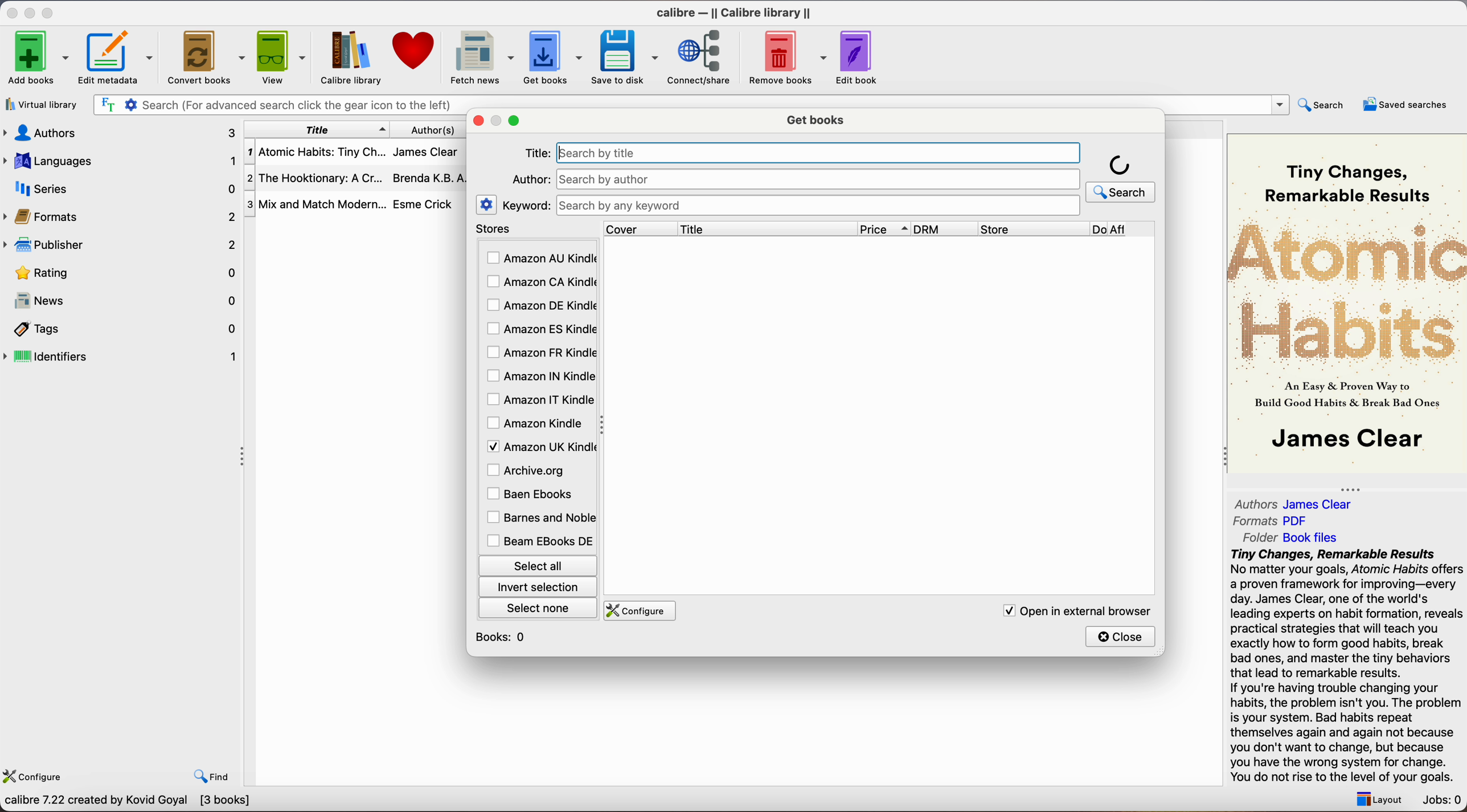  I want to click on Brenda K.B.A..., so click(433, 178).